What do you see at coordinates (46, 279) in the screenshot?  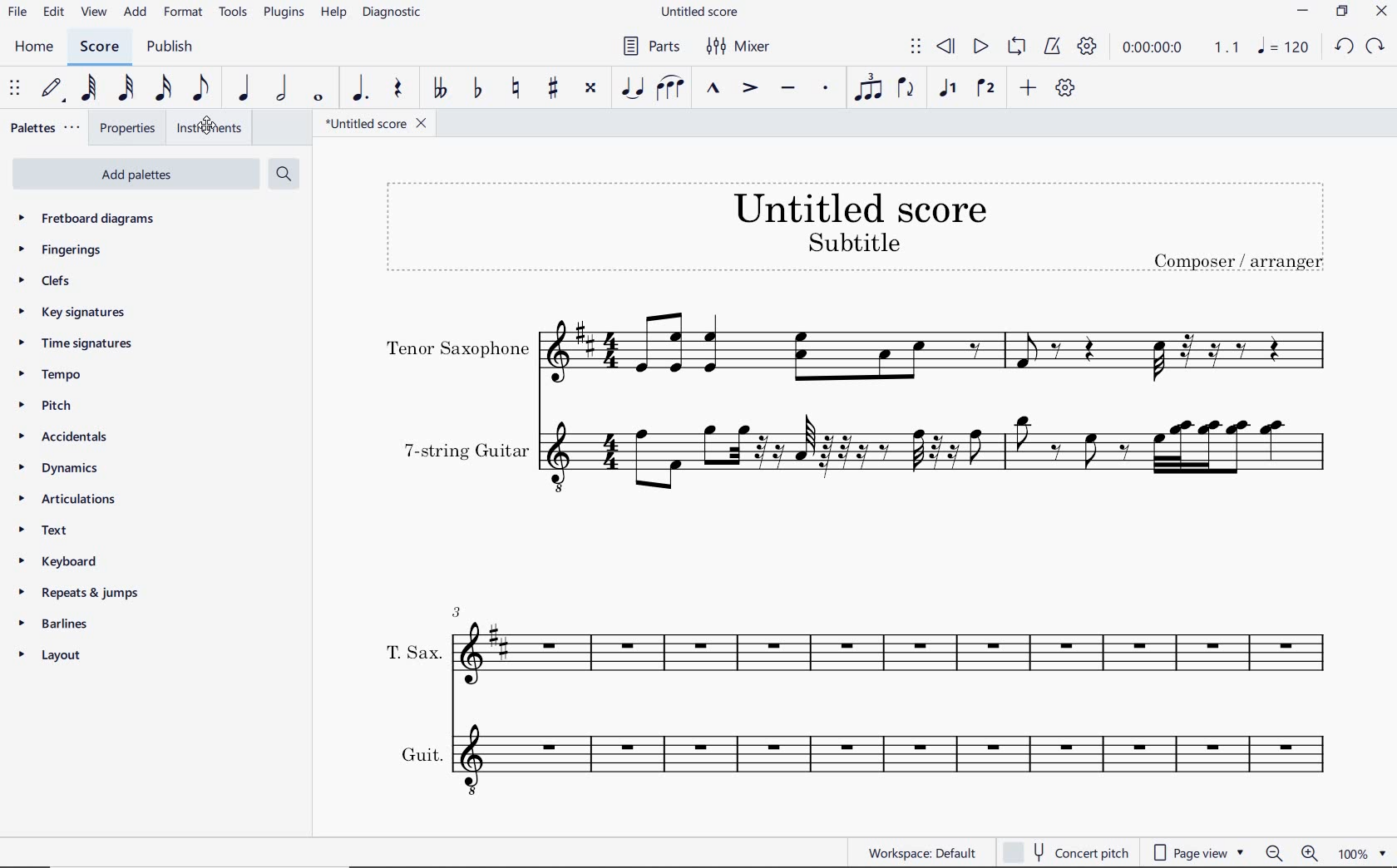 I see `CLEFS` at bounding box center [46, 279].